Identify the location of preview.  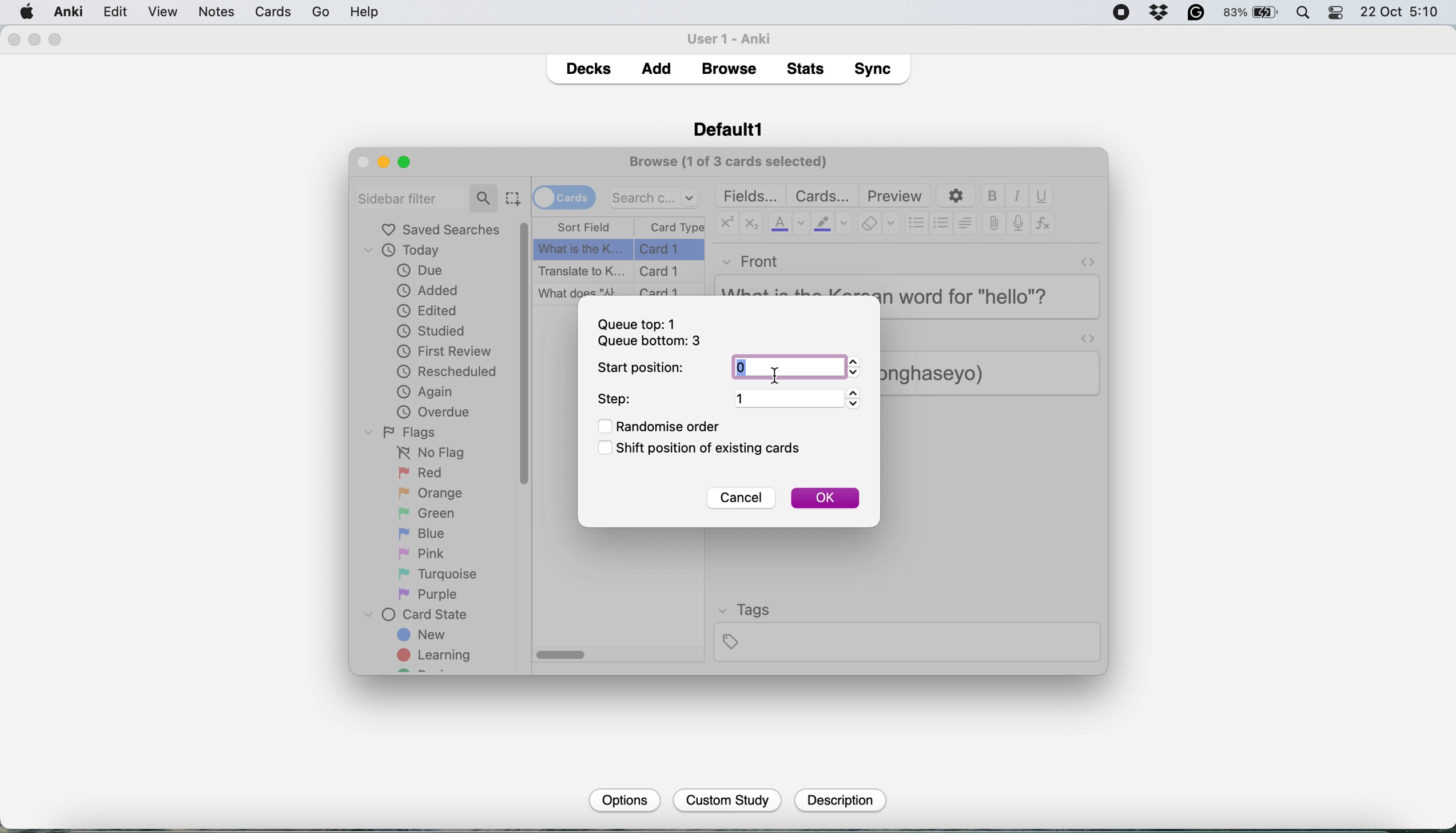
(895, 196).